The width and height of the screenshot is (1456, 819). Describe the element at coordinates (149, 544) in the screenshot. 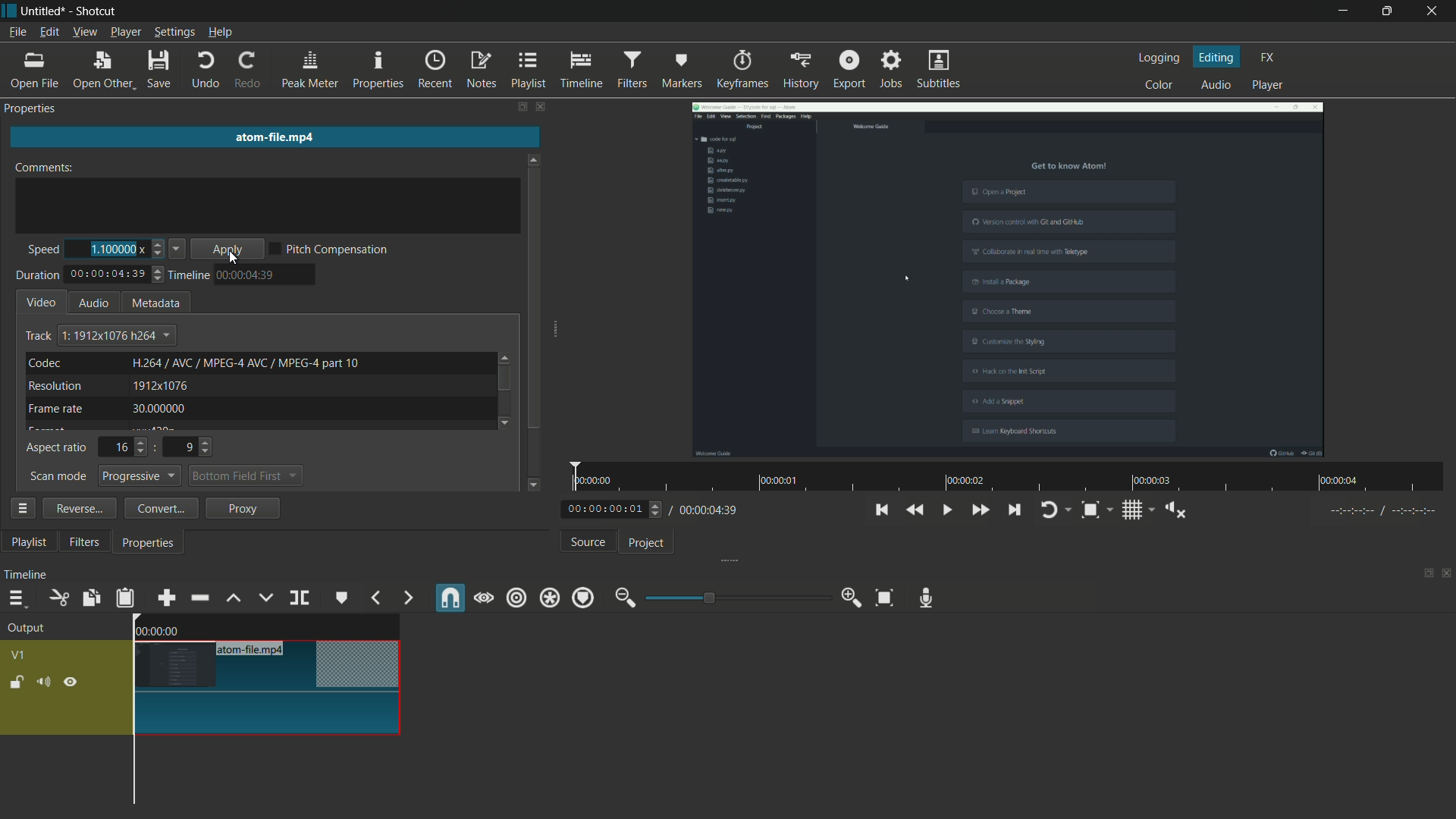

I see `properties` at that location.